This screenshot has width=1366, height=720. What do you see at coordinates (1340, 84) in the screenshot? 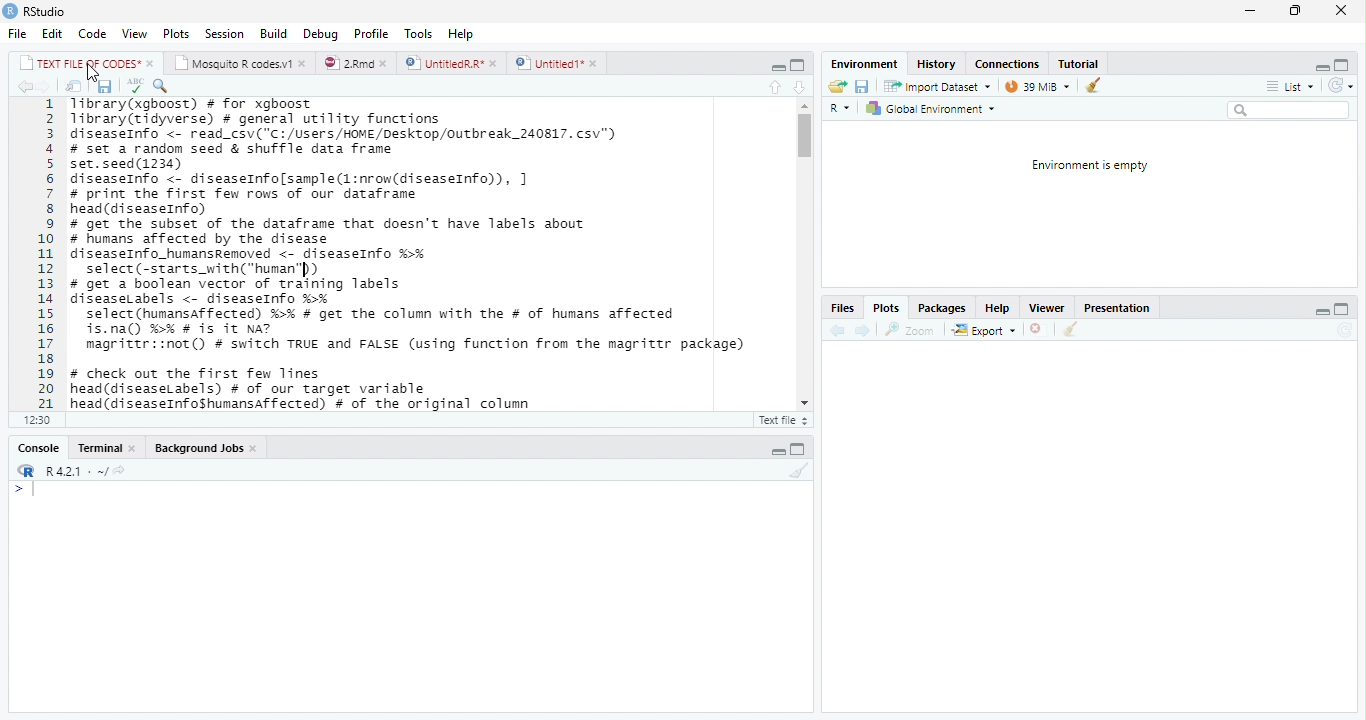
I see `Refresh` at bounding box center [1340, 84].